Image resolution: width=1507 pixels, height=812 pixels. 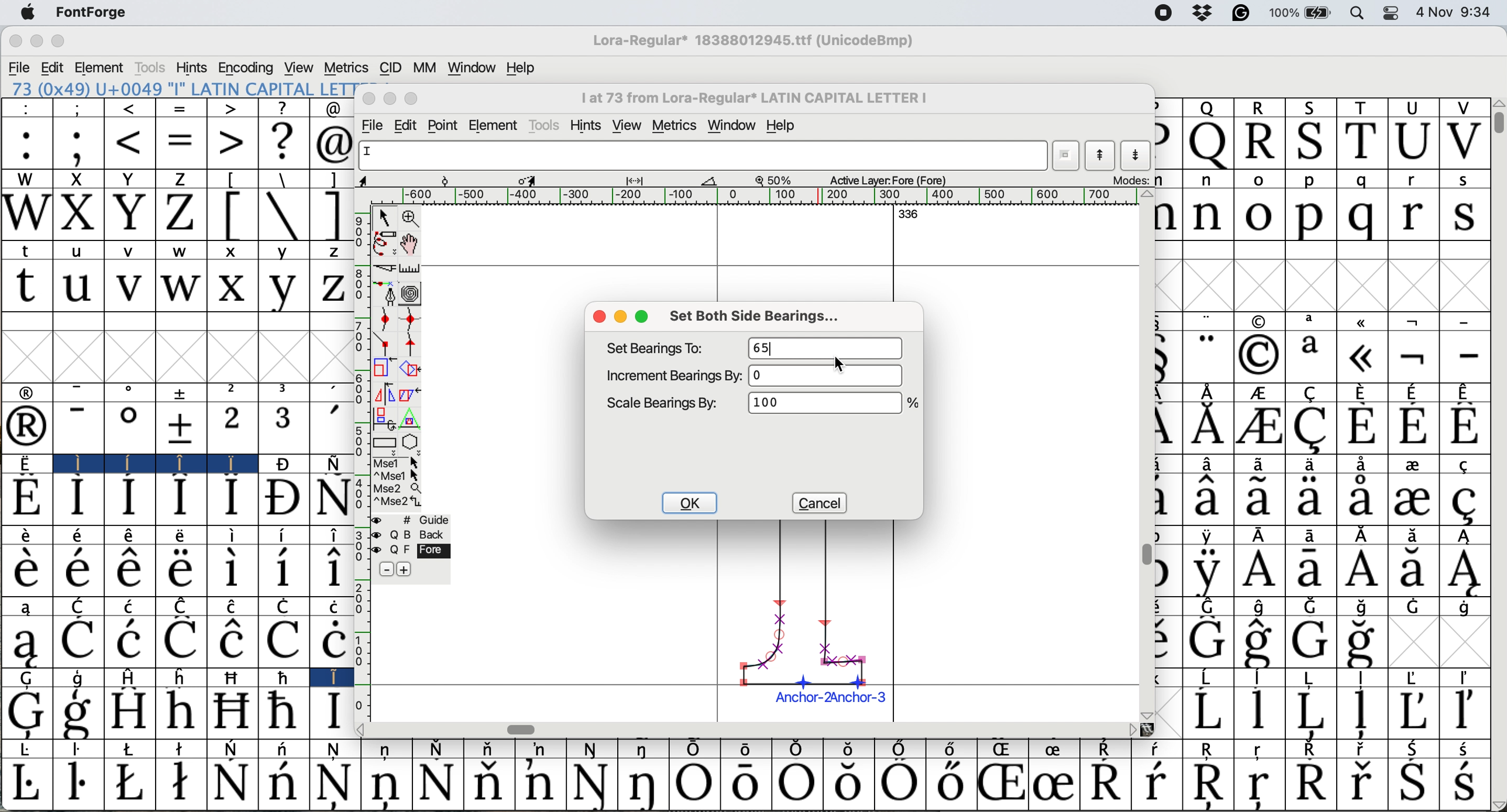 What do you see at coordinates (128, 429) in the screenshot?
I see `Symbol` at bounding box center [128, 429].